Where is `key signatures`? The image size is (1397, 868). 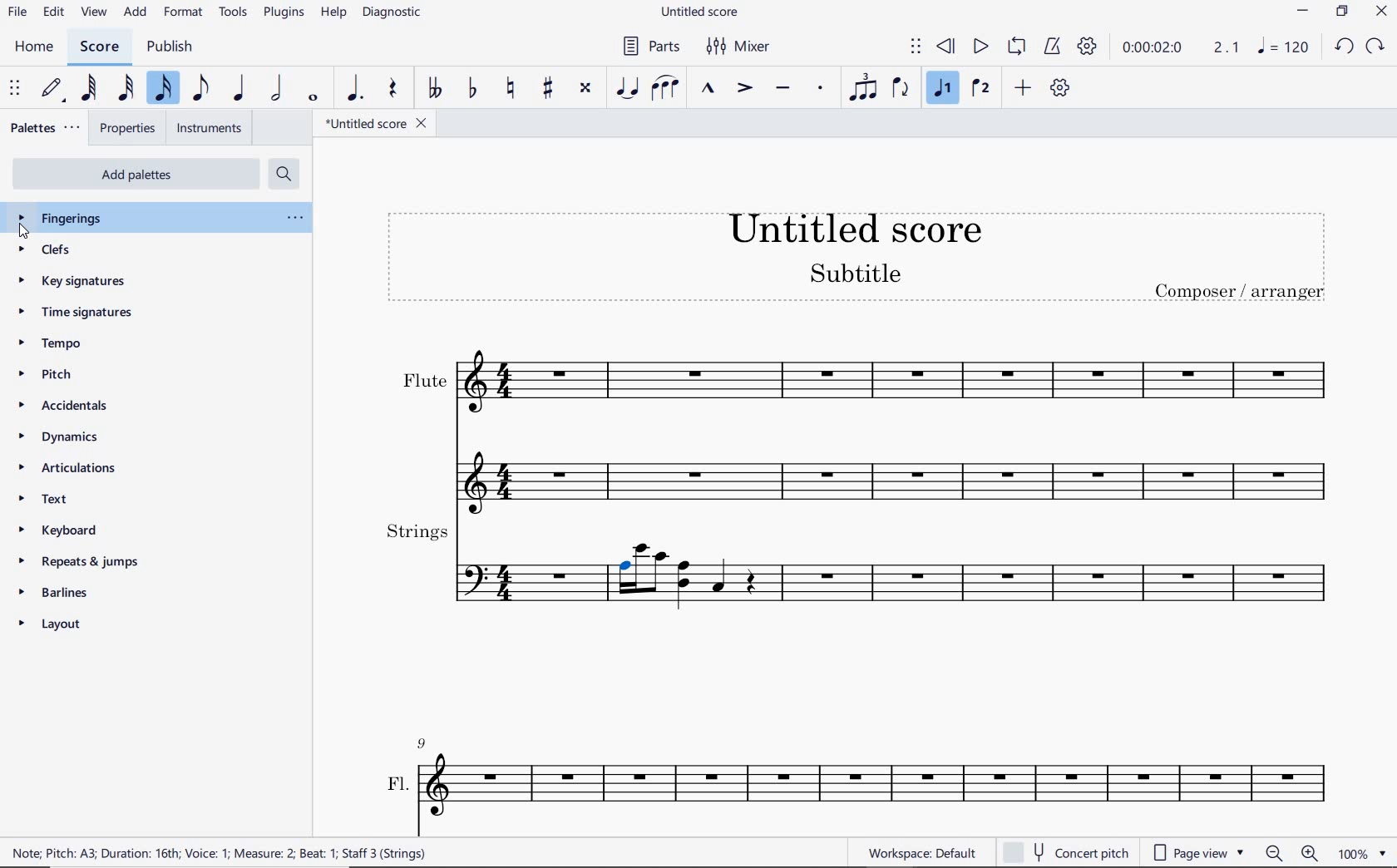
key signatures is located at coordinates (73, 282).